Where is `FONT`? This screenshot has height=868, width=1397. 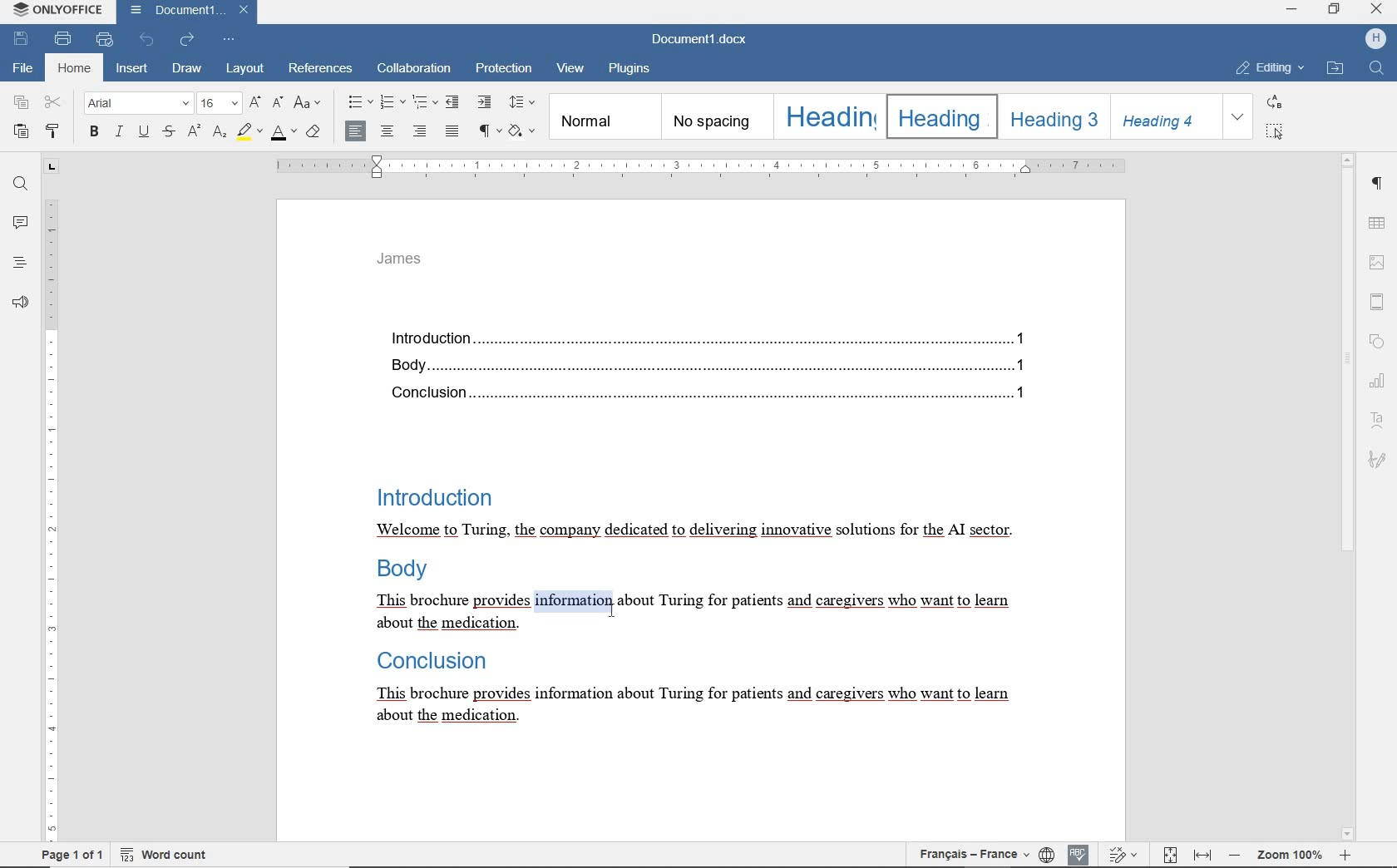 FONT is located at coordinates (140, 104).